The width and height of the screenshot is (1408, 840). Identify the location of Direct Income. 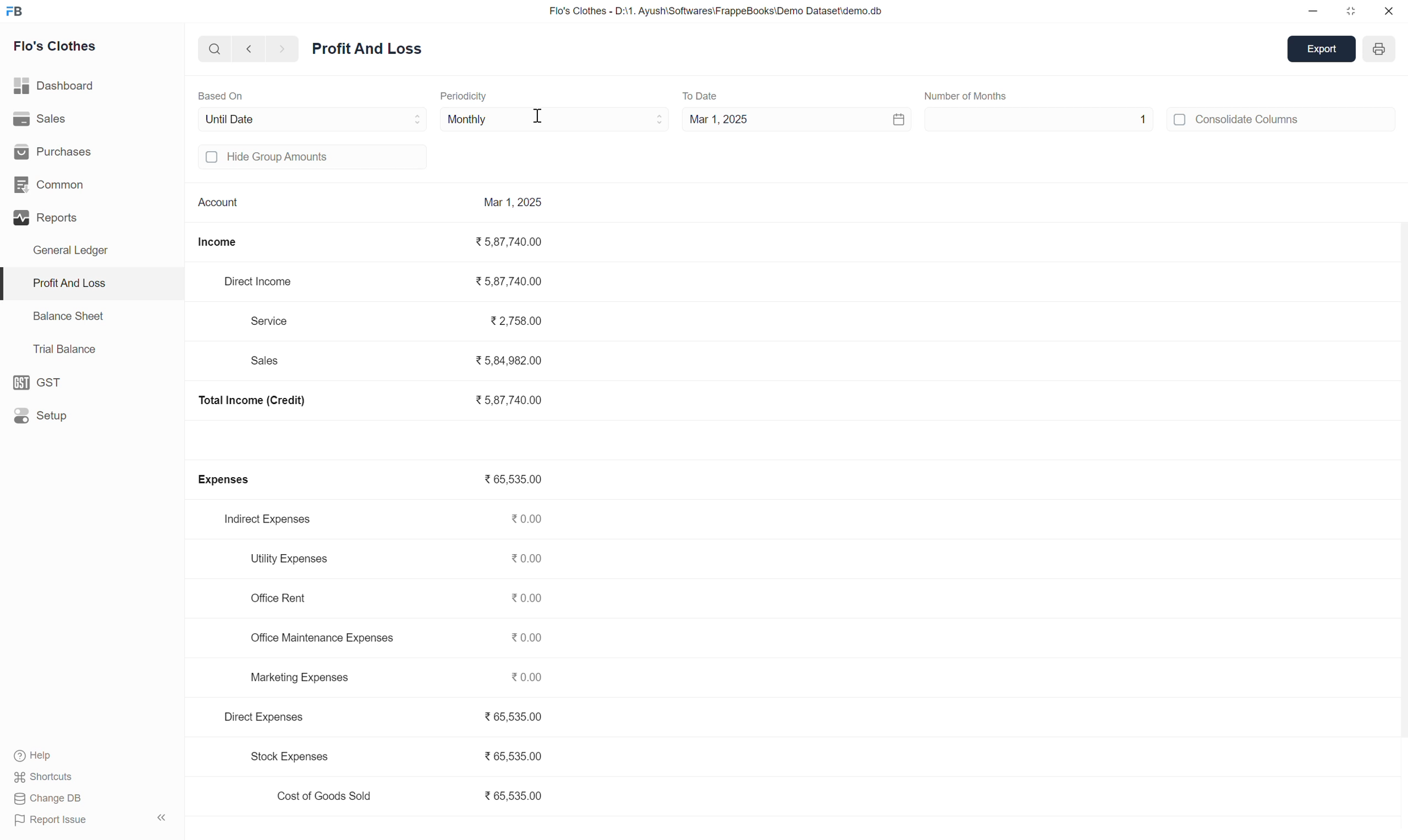
(262, 281).